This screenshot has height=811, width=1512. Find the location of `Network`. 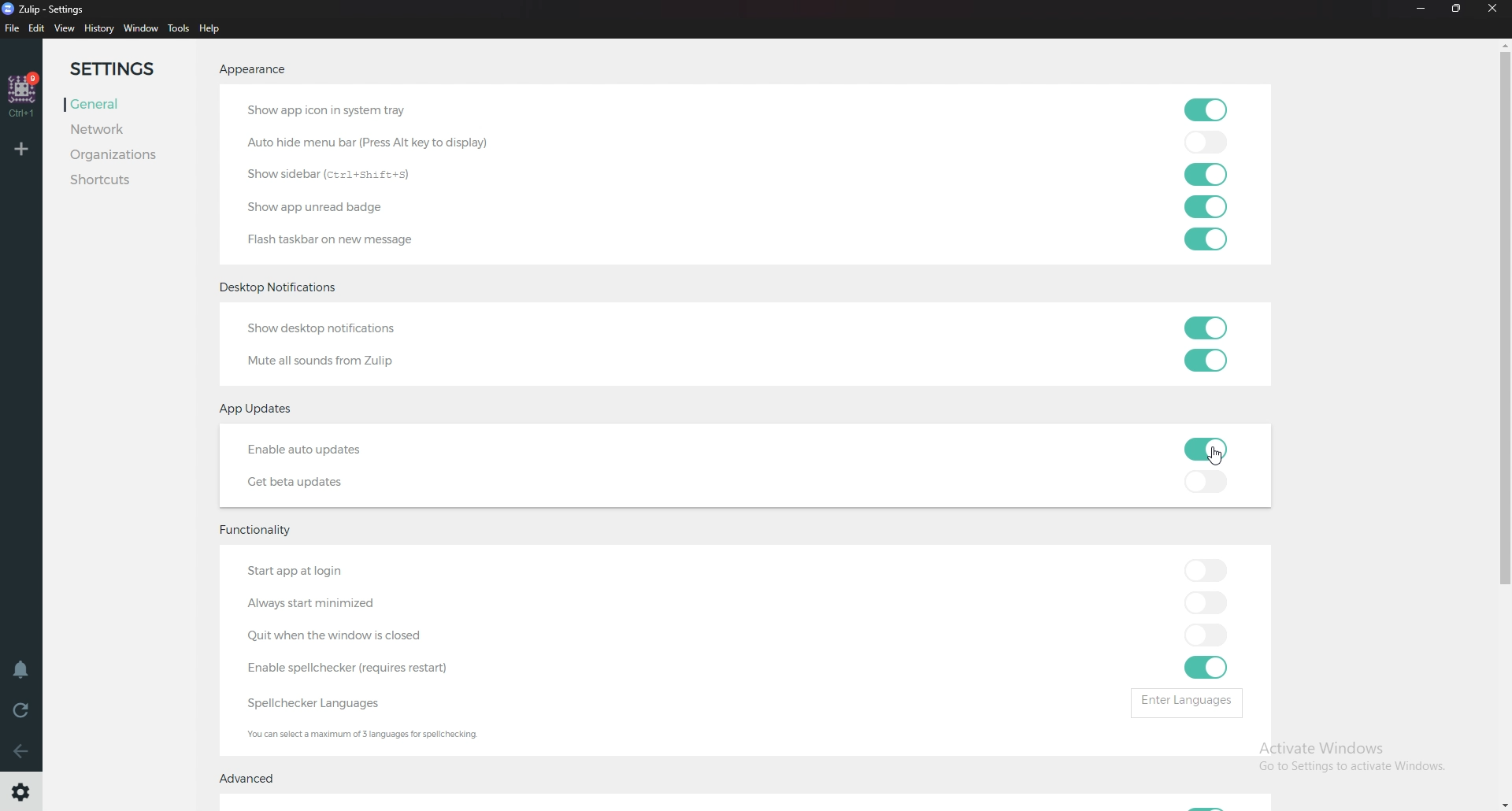

Network is located at coordinates (111, 129).